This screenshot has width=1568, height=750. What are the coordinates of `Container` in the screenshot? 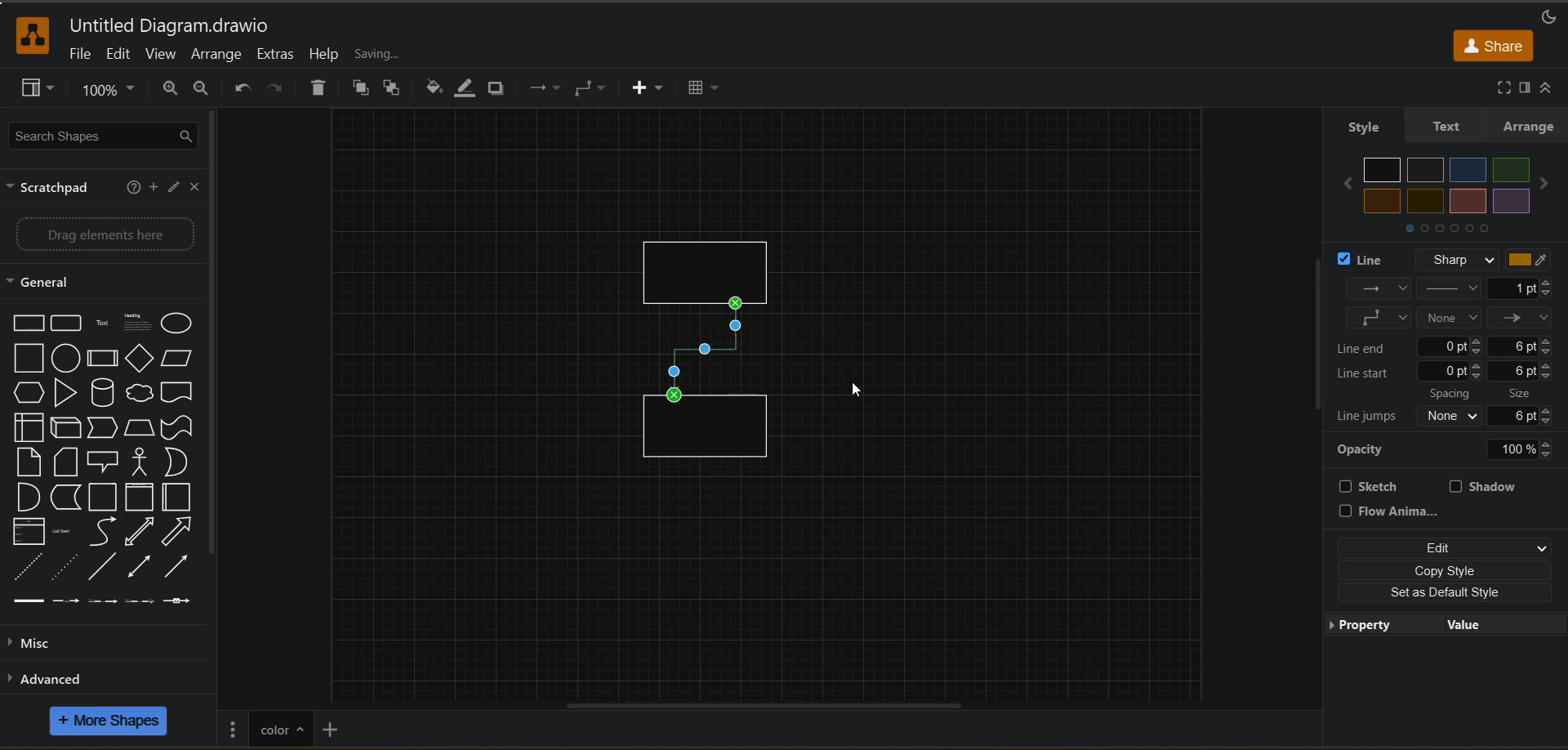 It's located at (105, 498).